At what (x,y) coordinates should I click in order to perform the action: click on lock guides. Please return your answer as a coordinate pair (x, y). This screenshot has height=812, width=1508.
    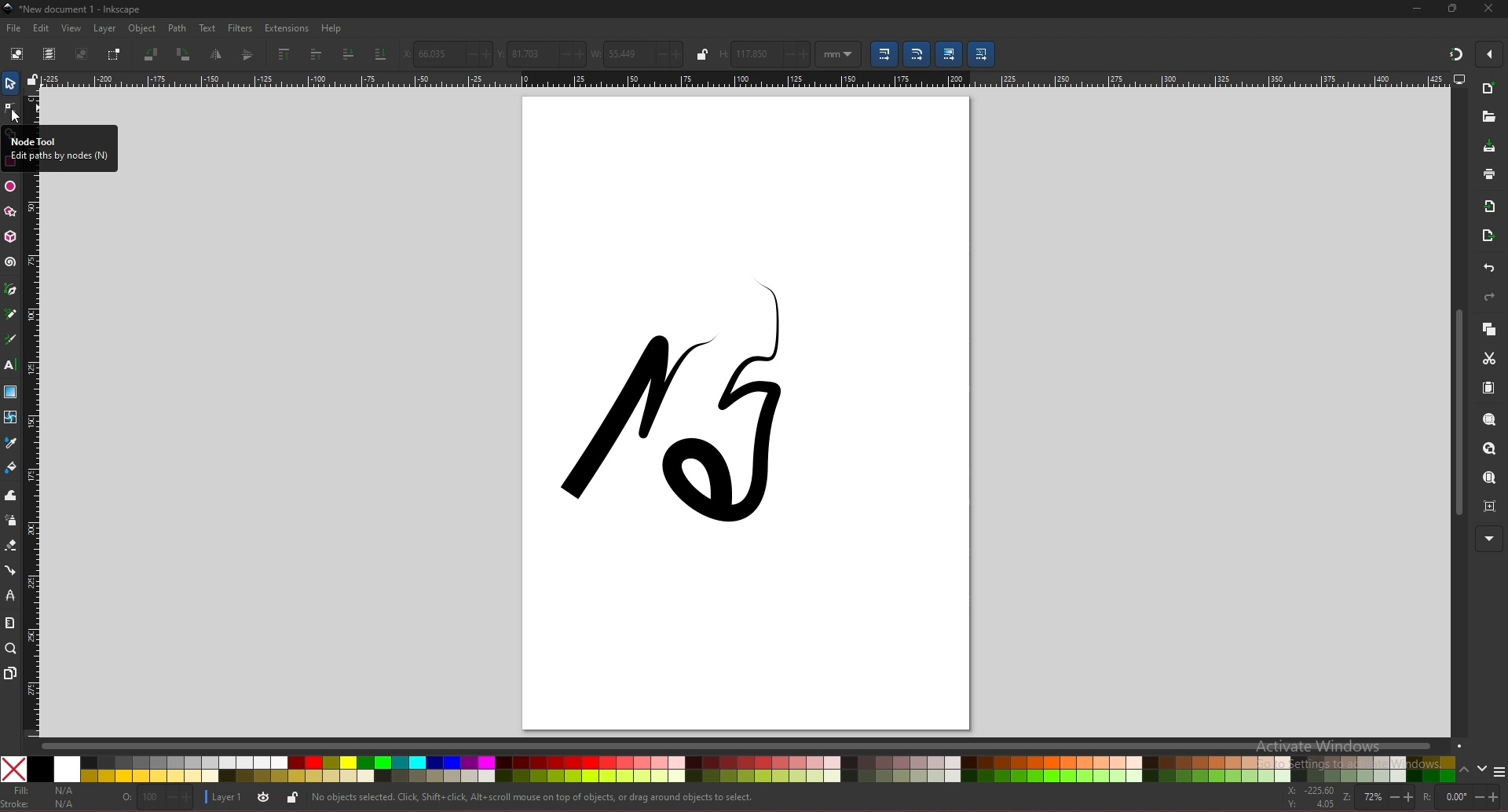
    Looking at the image, I should click on (32, 79).